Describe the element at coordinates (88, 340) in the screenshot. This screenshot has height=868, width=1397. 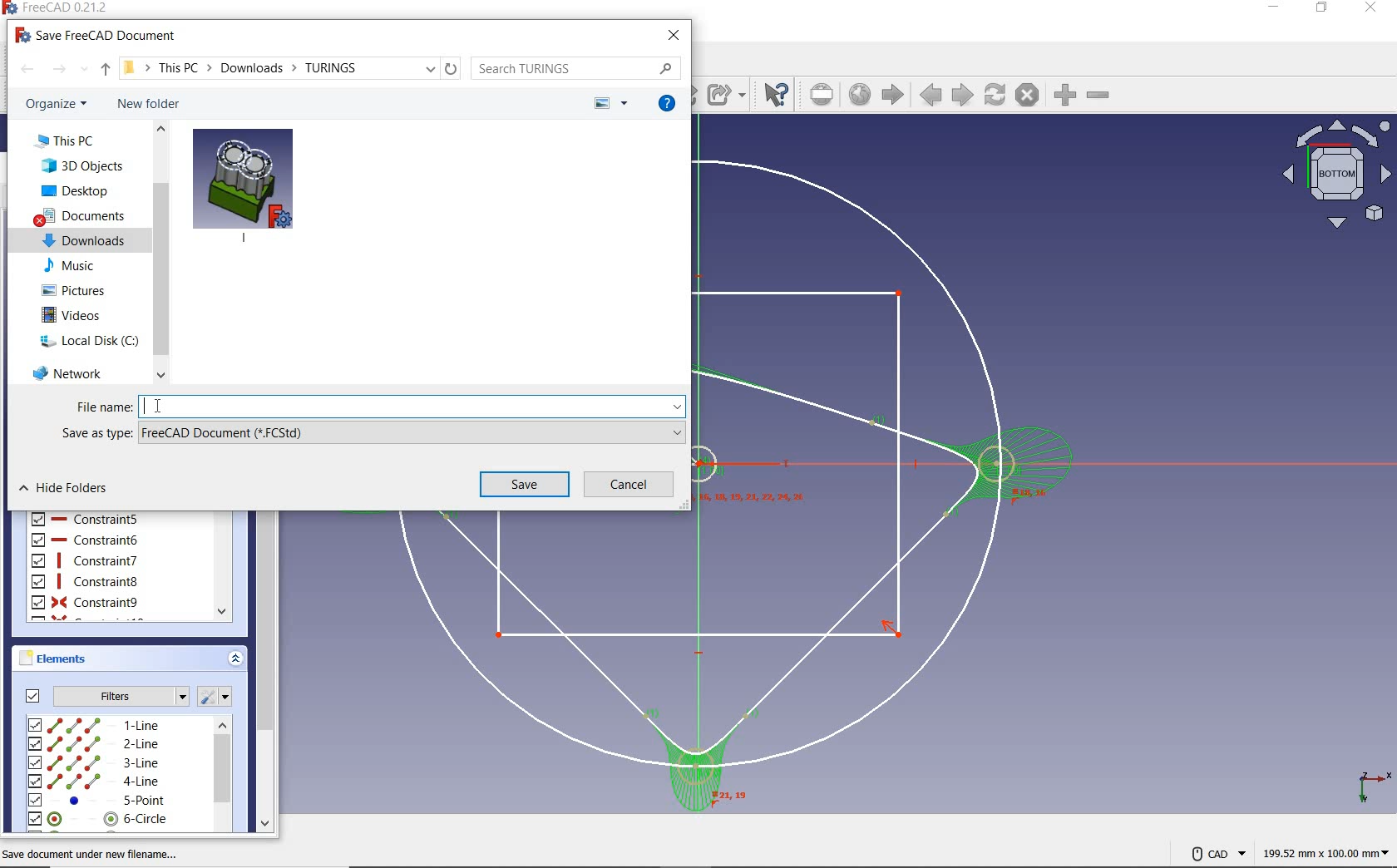
I see `local disk (C:)` at that location.